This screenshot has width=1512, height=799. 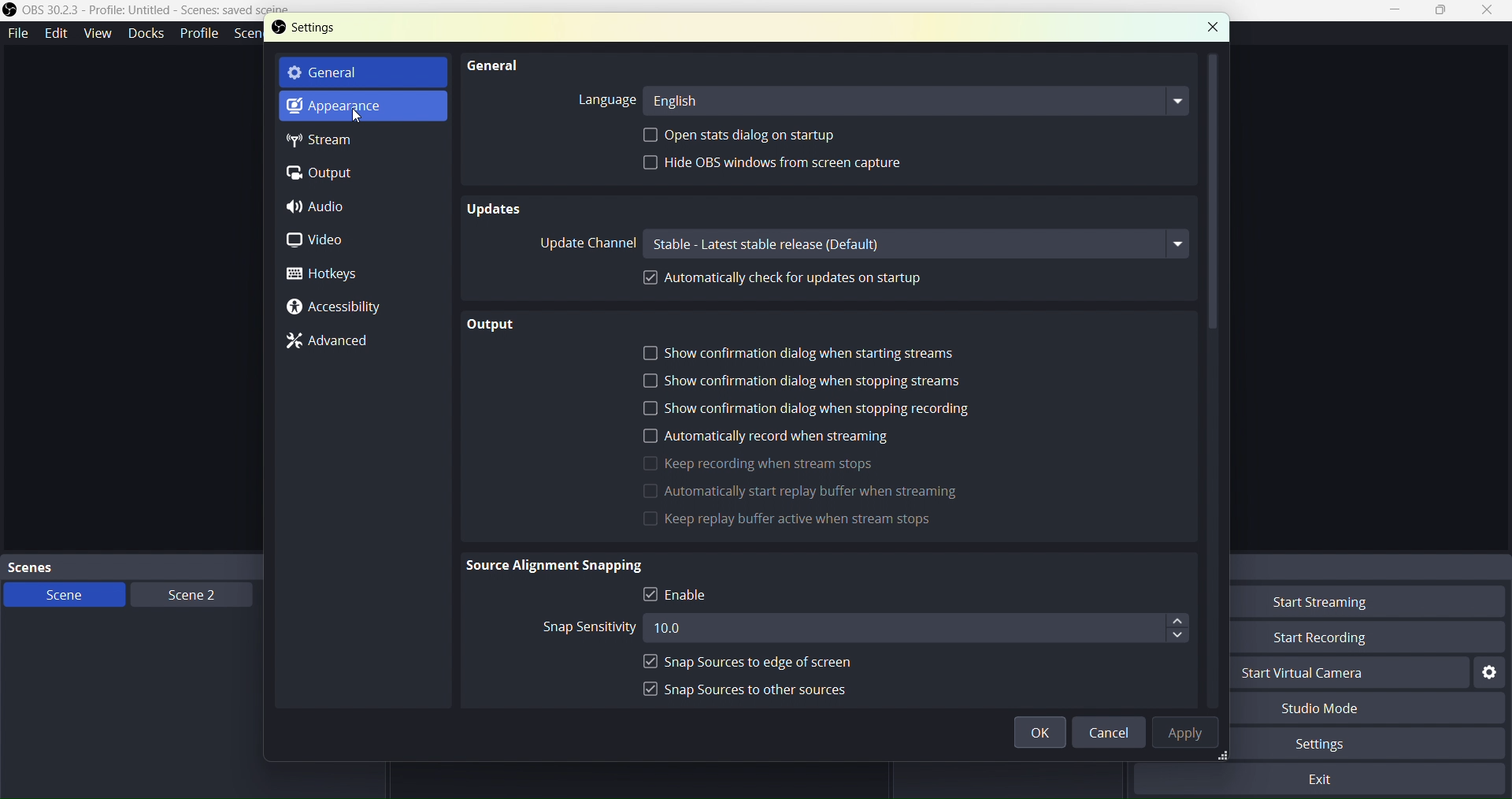 I want to click on Output, so click(x=328, y=173).